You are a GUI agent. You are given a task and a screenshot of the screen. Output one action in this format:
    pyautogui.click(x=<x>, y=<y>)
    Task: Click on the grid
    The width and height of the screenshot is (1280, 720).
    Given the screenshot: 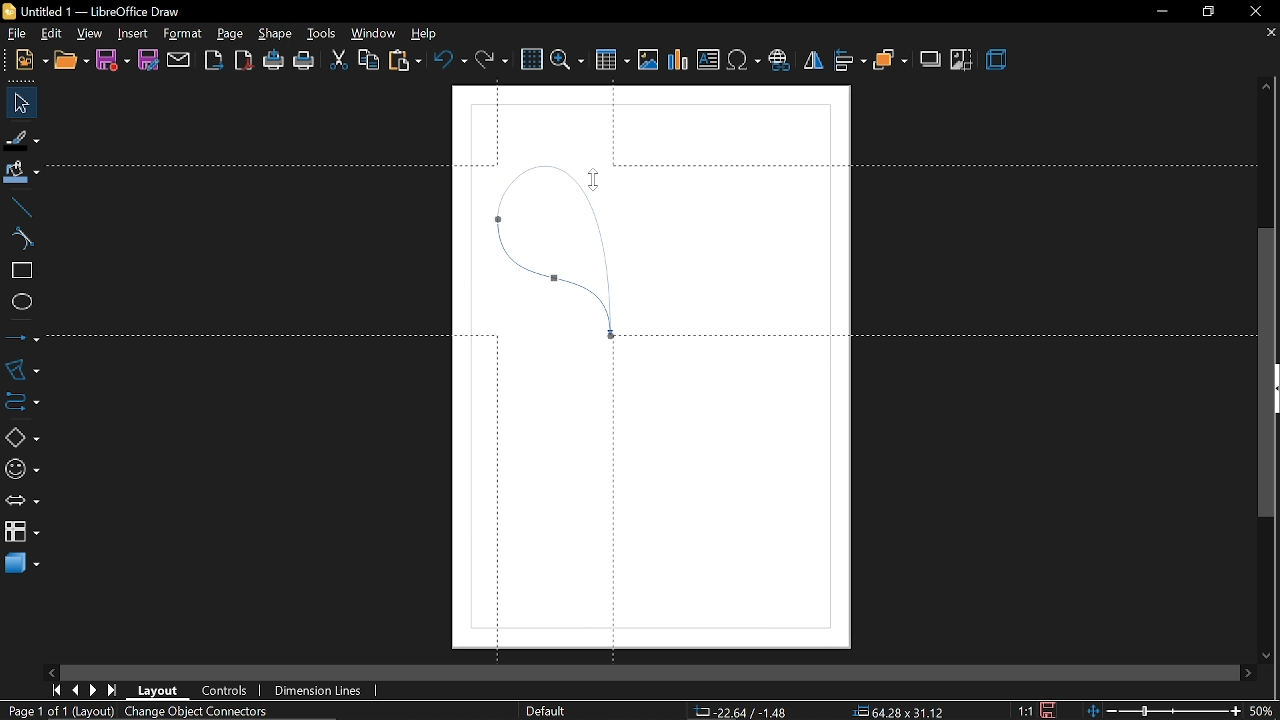 What is the action you would take?
    pyautogui.click(x=530, y=59)
    